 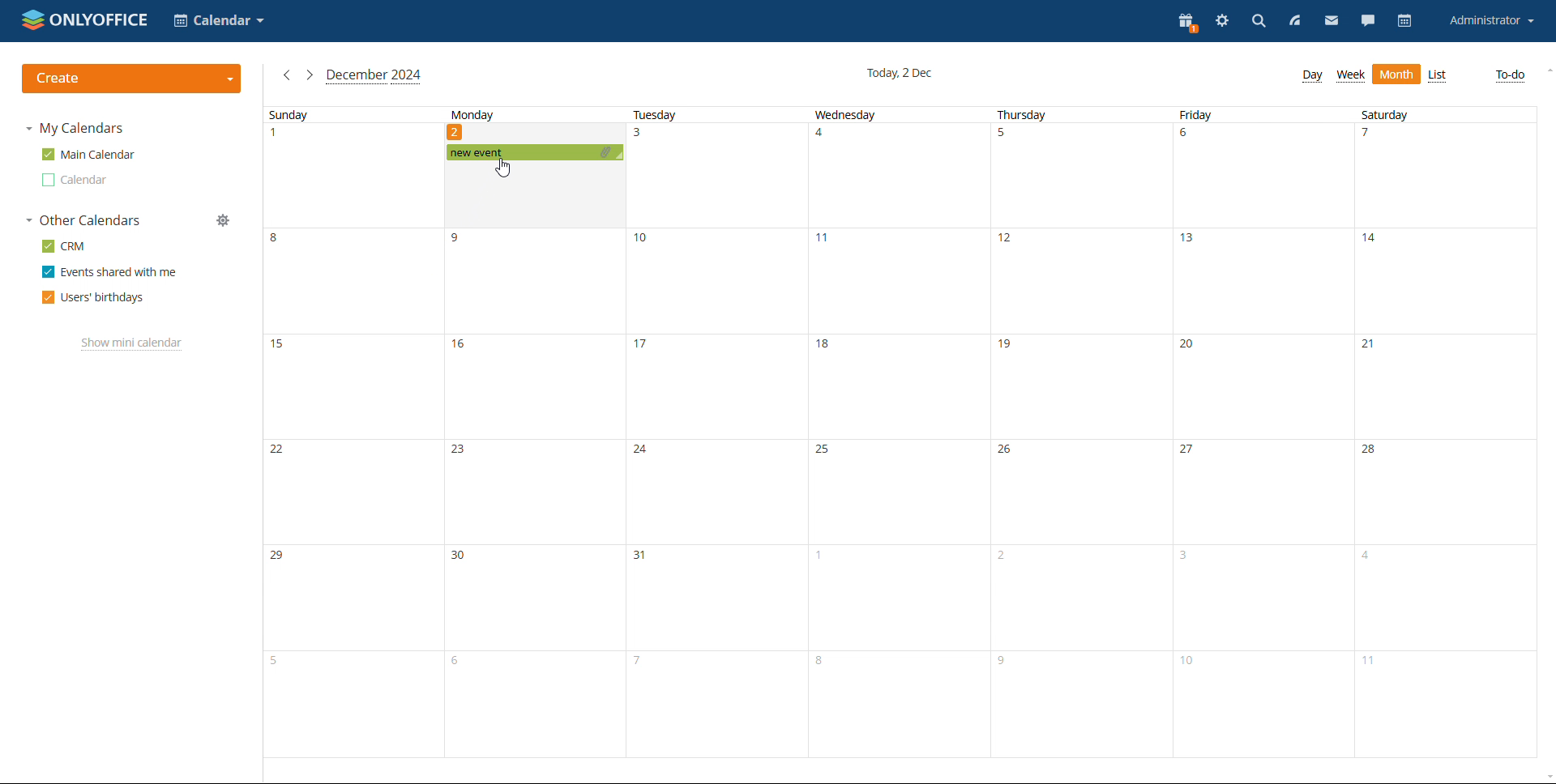 I want to click on cursor, so click(x=503, y=168).